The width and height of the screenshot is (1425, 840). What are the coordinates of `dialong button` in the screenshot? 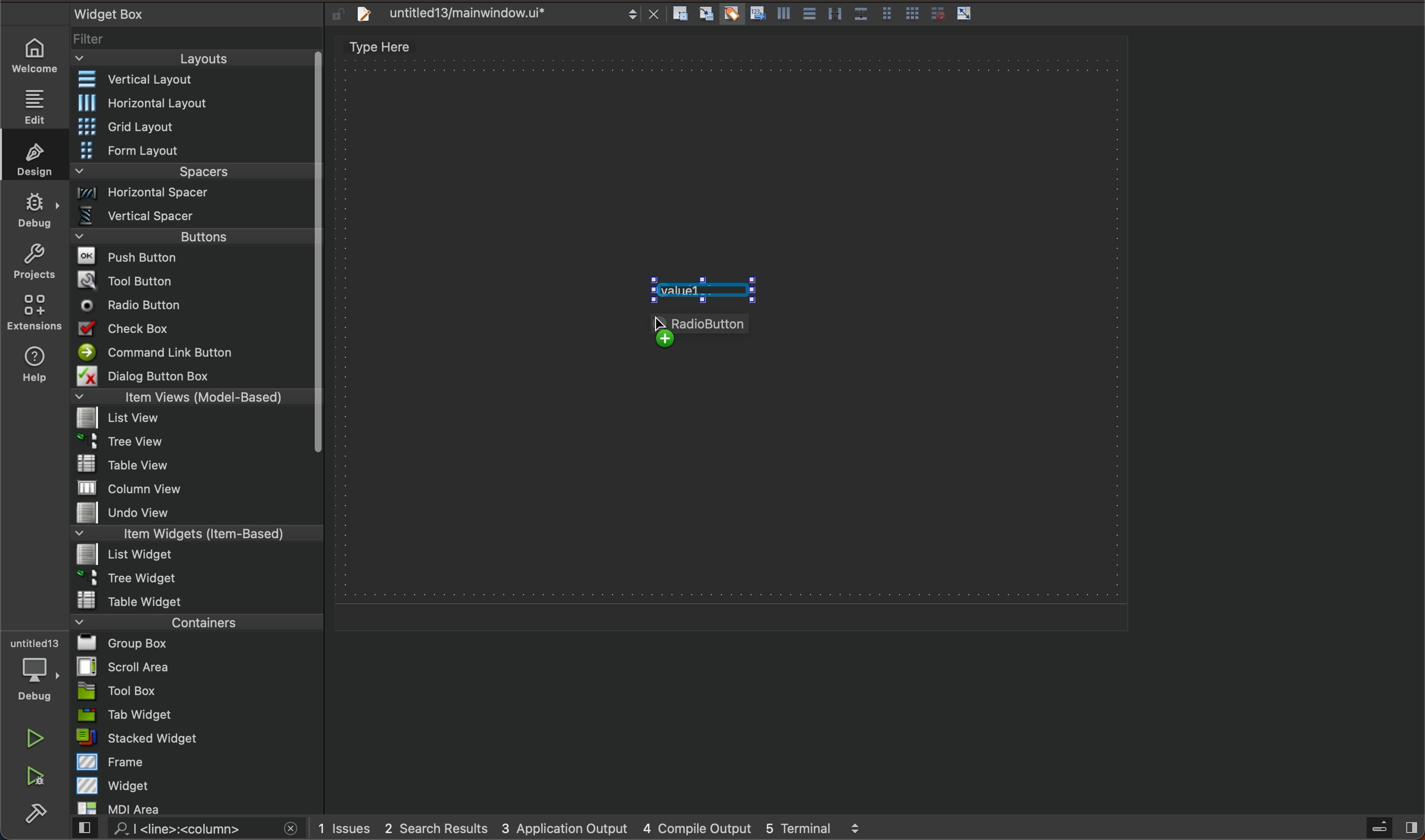 It's located at (194, 378).